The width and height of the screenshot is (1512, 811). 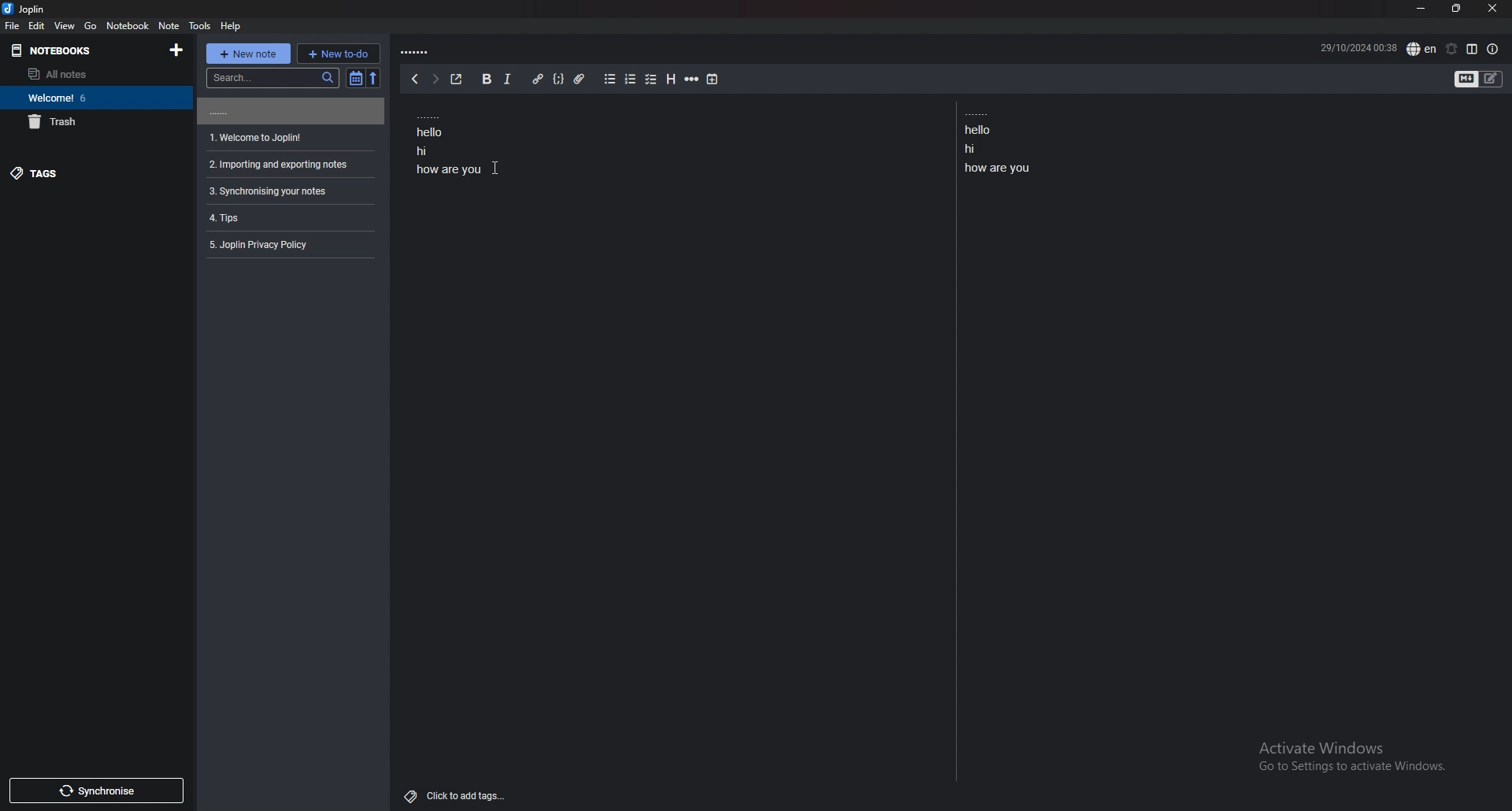 I want to click on tools, so click(x=201, y=26).